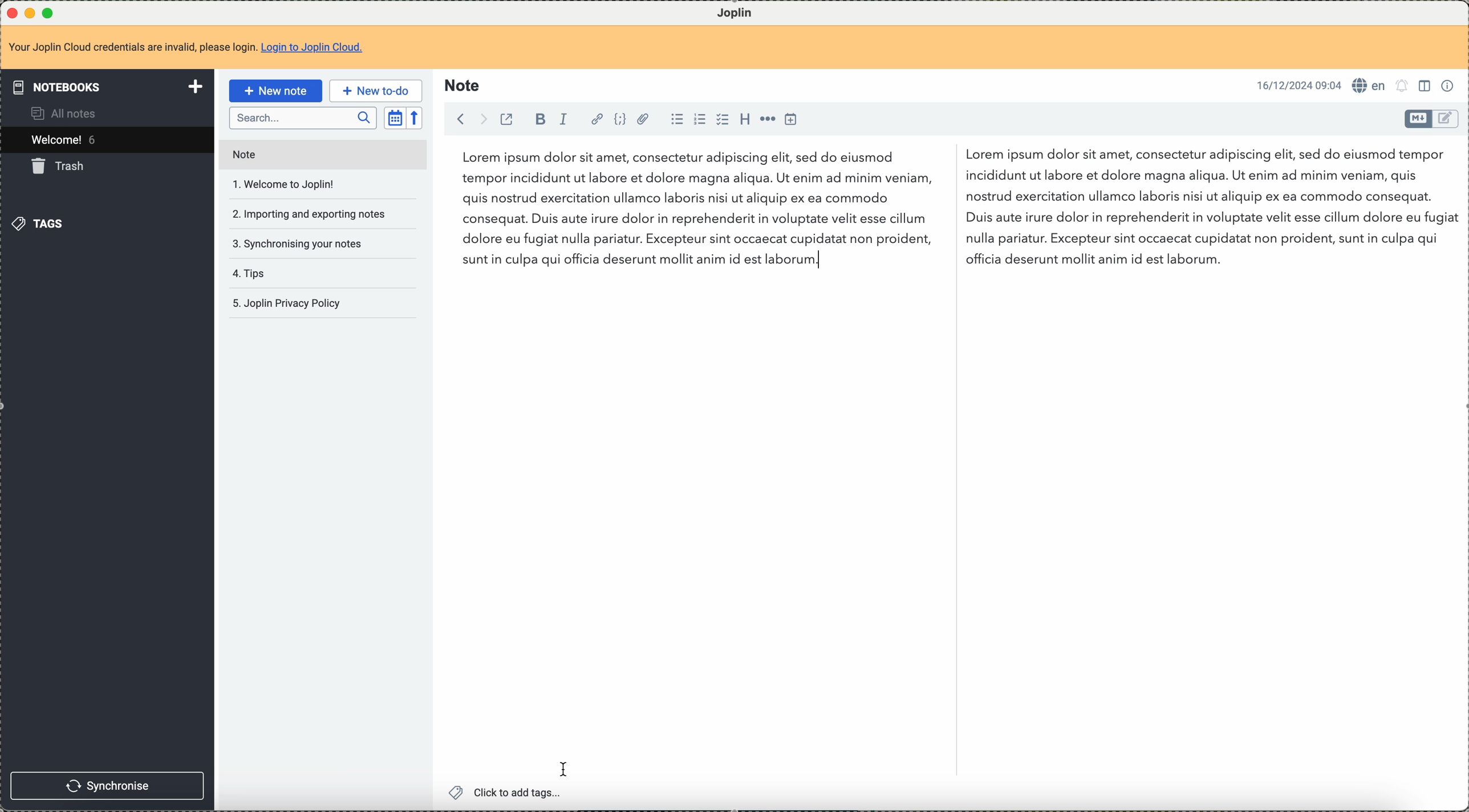  What do you see at coordinates (1418, 119) in the screenshot?
I see `toggle editor` at bounding box center [1418, 119].